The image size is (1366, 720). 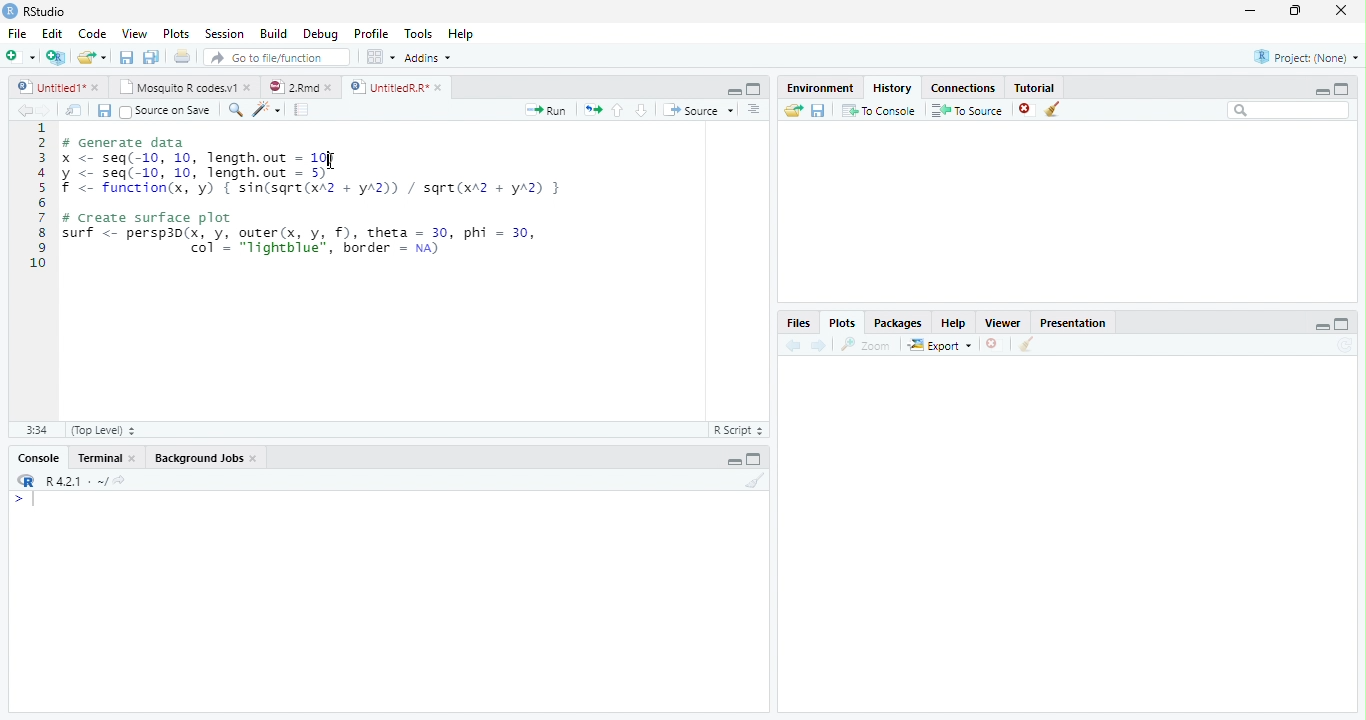 What do you see at coordinates (753, 461) in the screenshot?
I see `Maximize` at bounding box center [753, 461].